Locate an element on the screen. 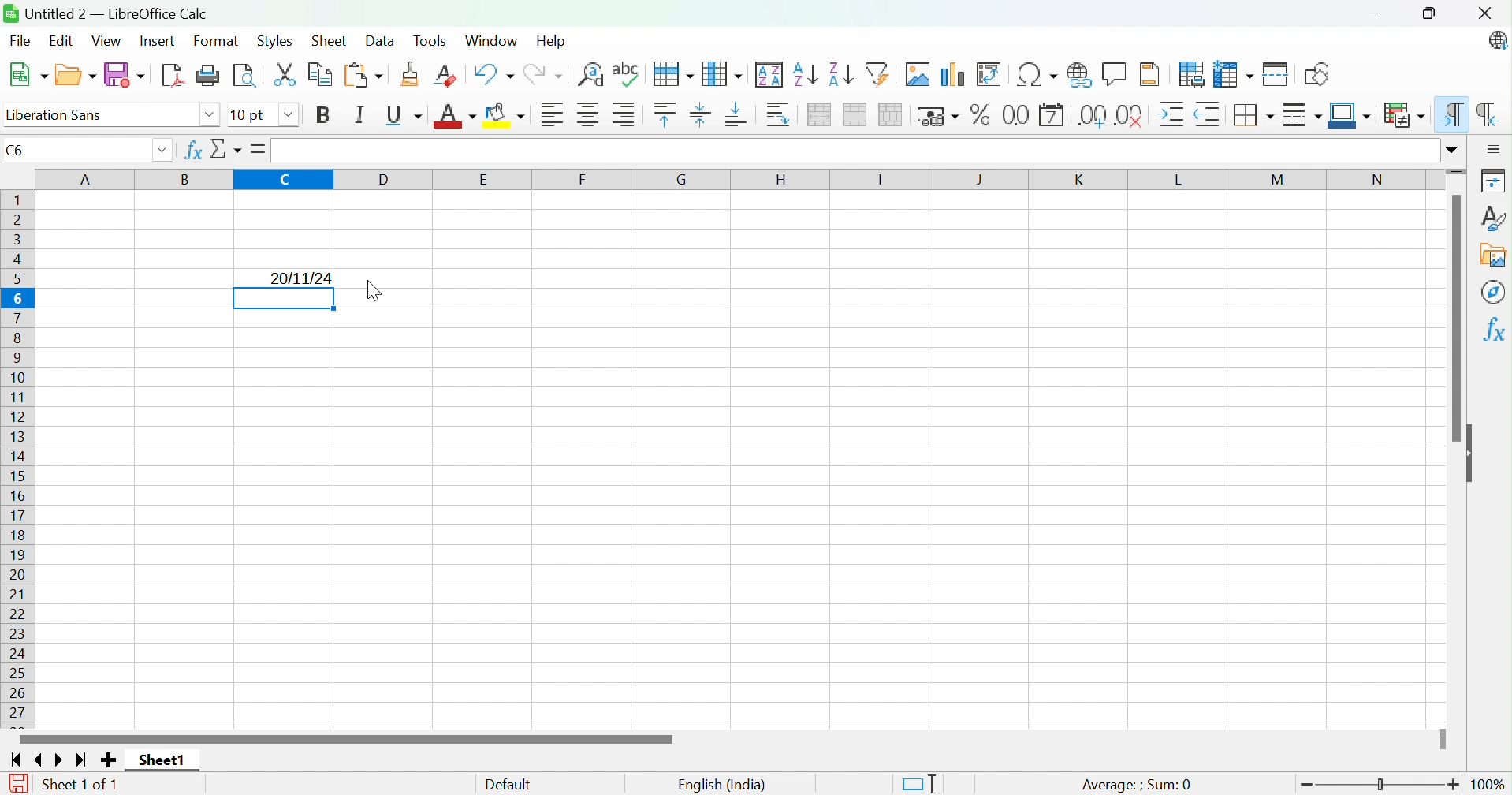 The height and width of the screenshot is (795, 1512). Functions is located at coordinates (1493, 332).